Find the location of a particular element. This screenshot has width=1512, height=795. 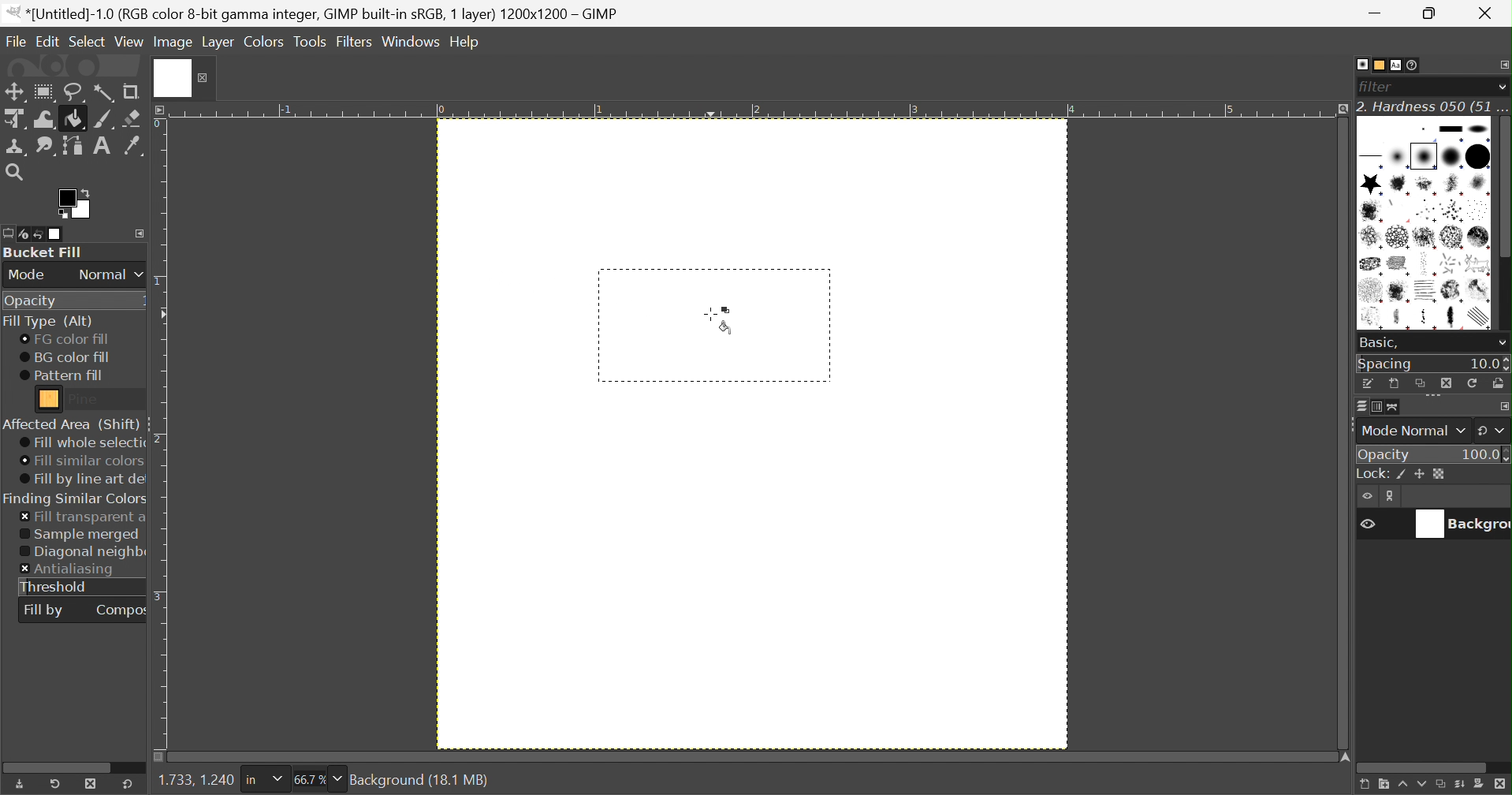

Normal is located at coordinates (111, 274).